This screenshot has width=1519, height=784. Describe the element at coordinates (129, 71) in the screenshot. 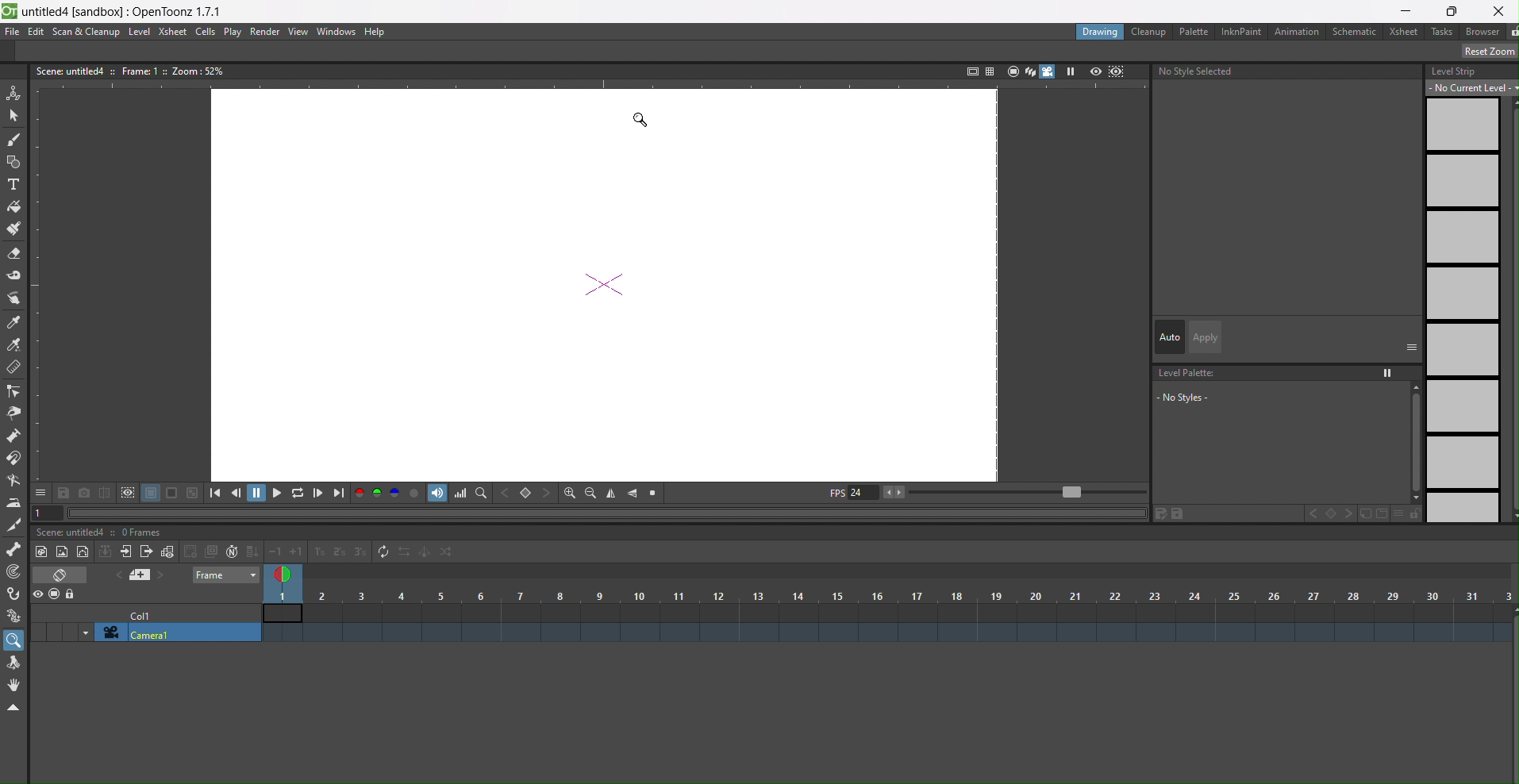

I see `text` at that location.